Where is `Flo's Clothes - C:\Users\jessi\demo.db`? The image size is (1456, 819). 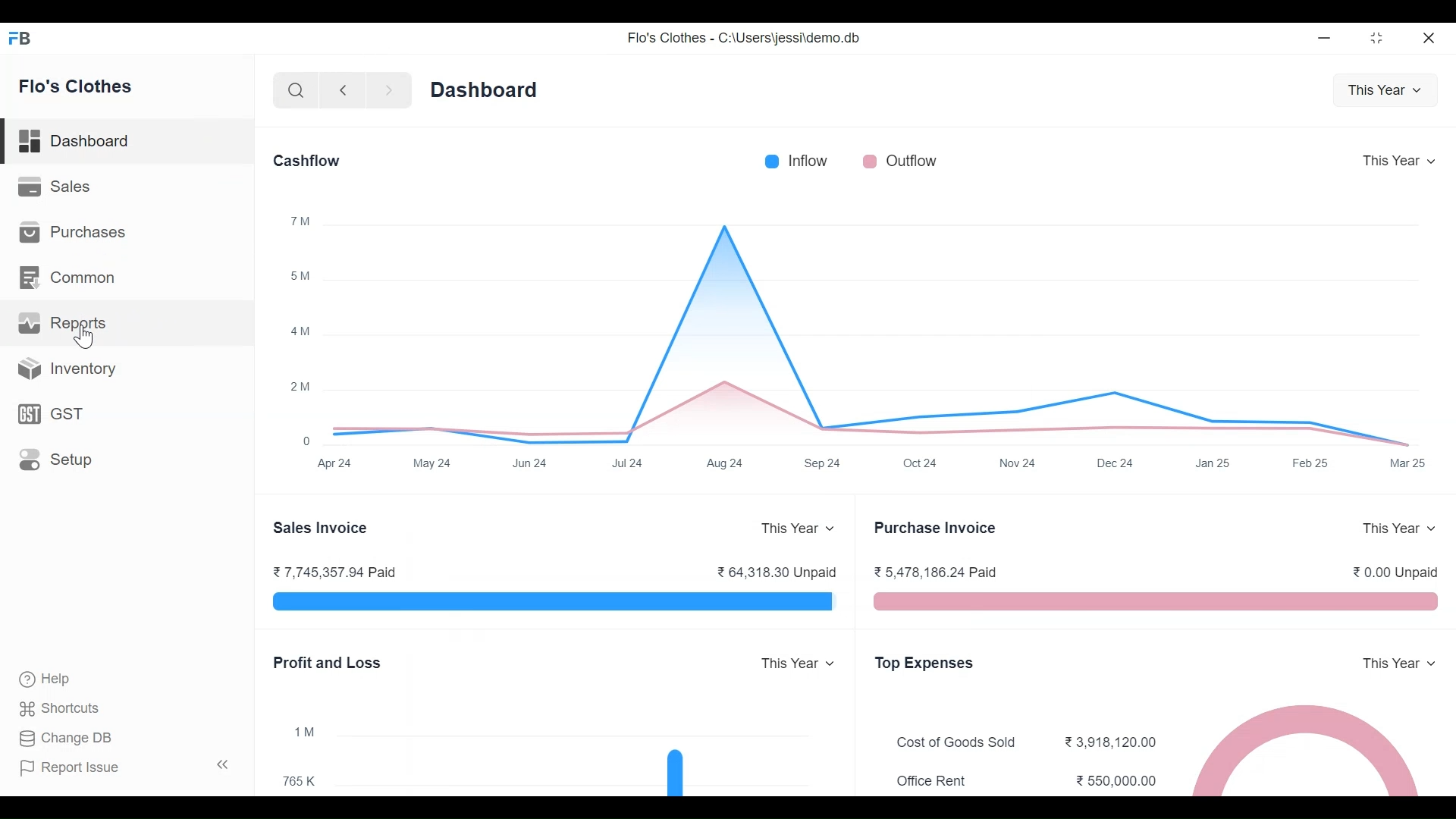
Flo's Clothes - C:\Users\jessi\demo.db is located at coordinates (743, 38).